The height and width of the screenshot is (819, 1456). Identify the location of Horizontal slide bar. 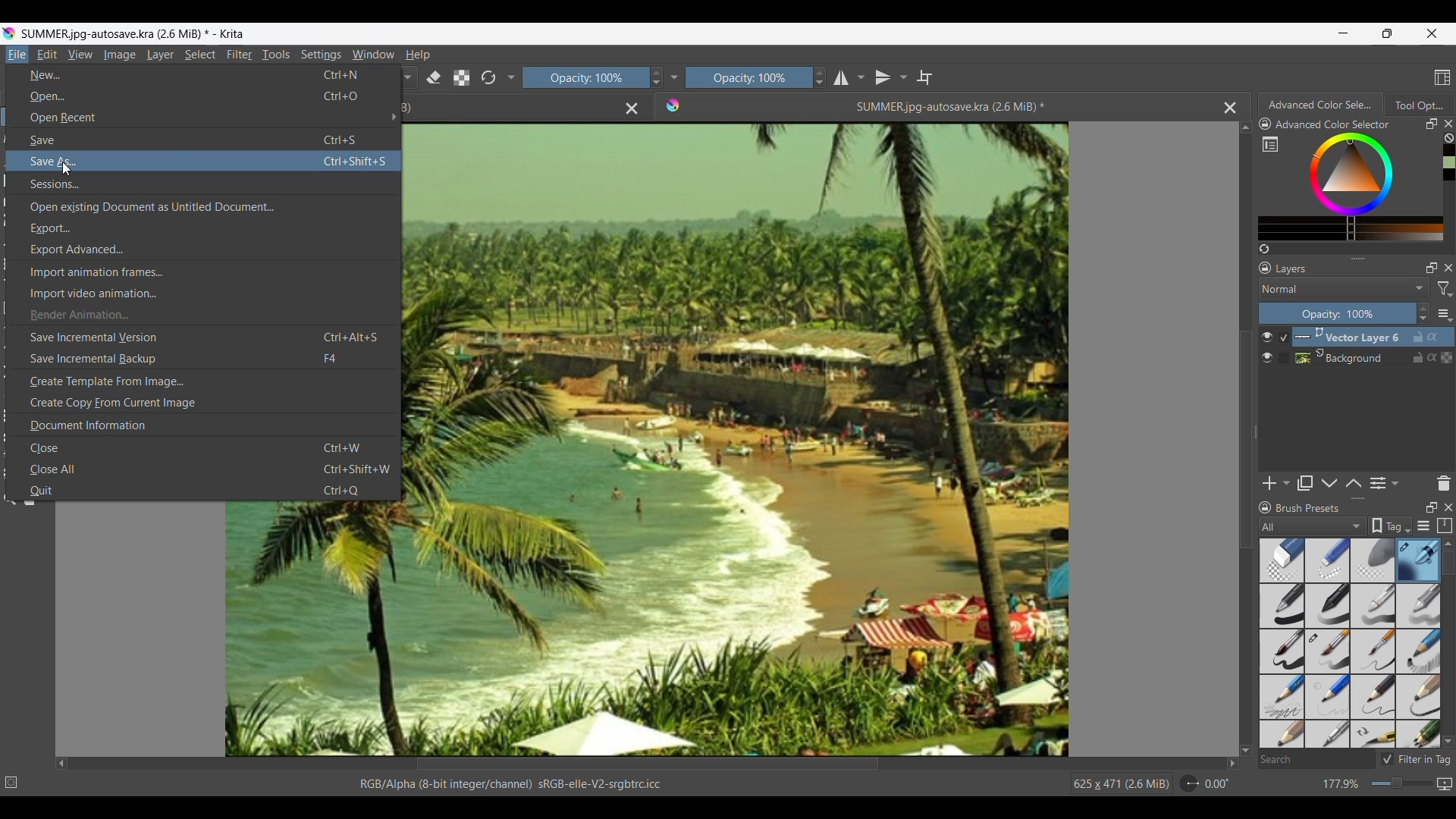
(648, 765).